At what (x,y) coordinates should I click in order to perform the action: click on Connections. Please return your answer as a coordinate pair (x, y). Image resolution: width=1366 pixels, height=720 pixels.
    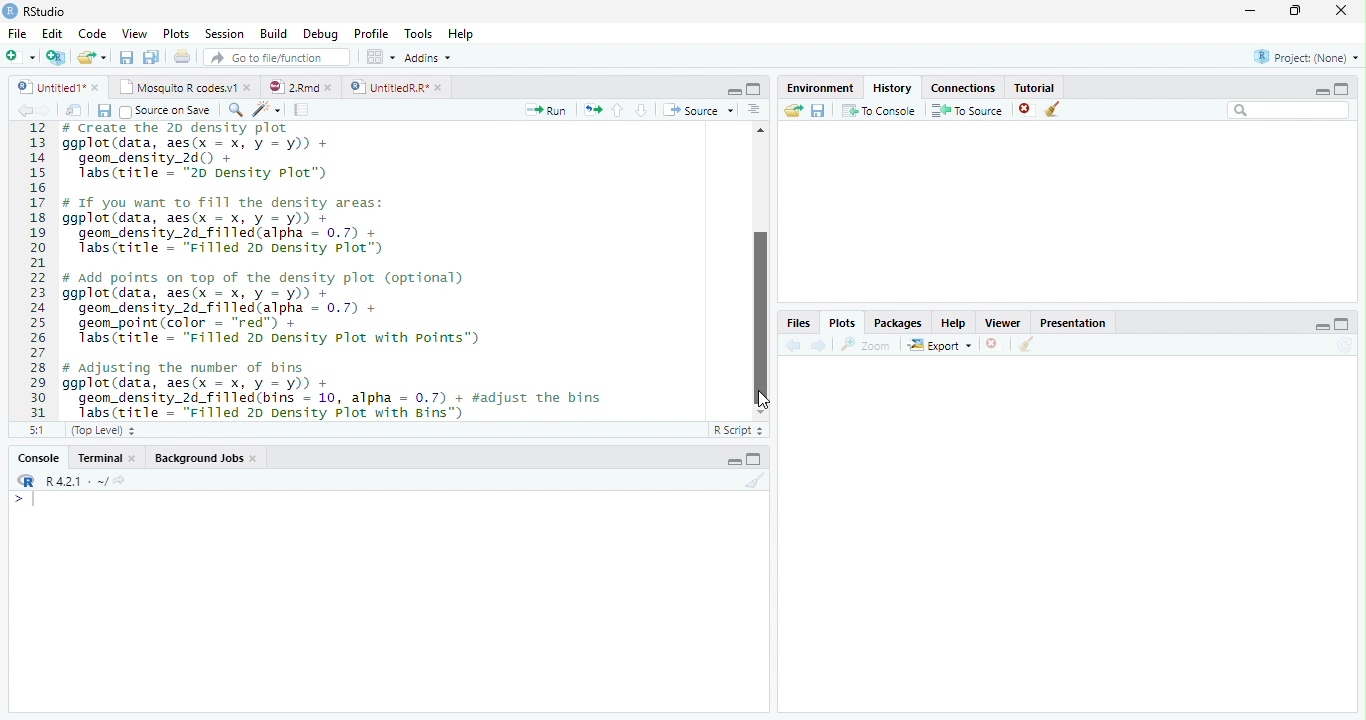
    Looking at the image, I should click on (964, 89).